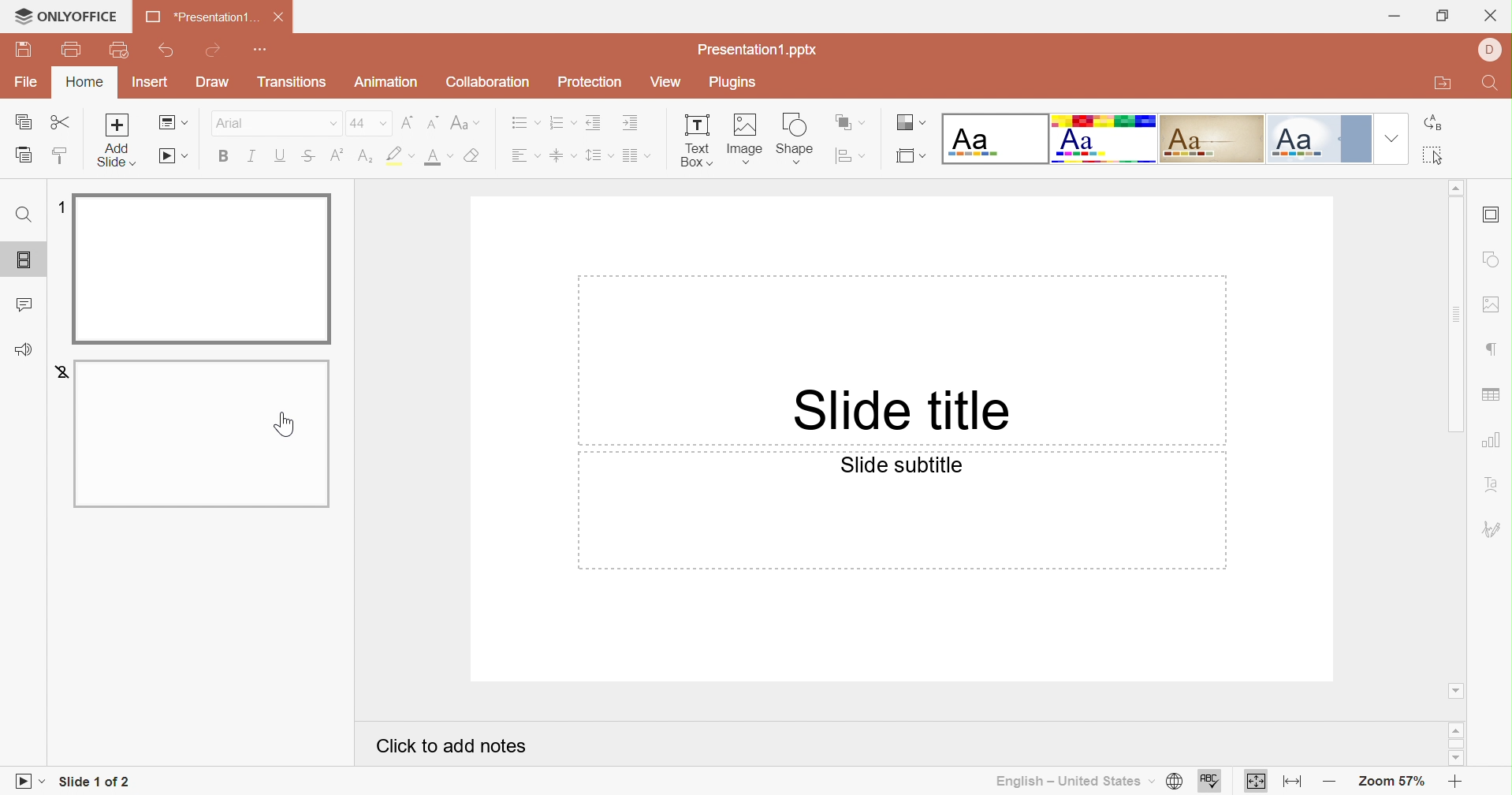 The height and width of the screenshot is (795, 1512). What do you see at coordinates (432, 121) in the screenshot?
I see `Decrement font size` at bounding box center [432, 121].